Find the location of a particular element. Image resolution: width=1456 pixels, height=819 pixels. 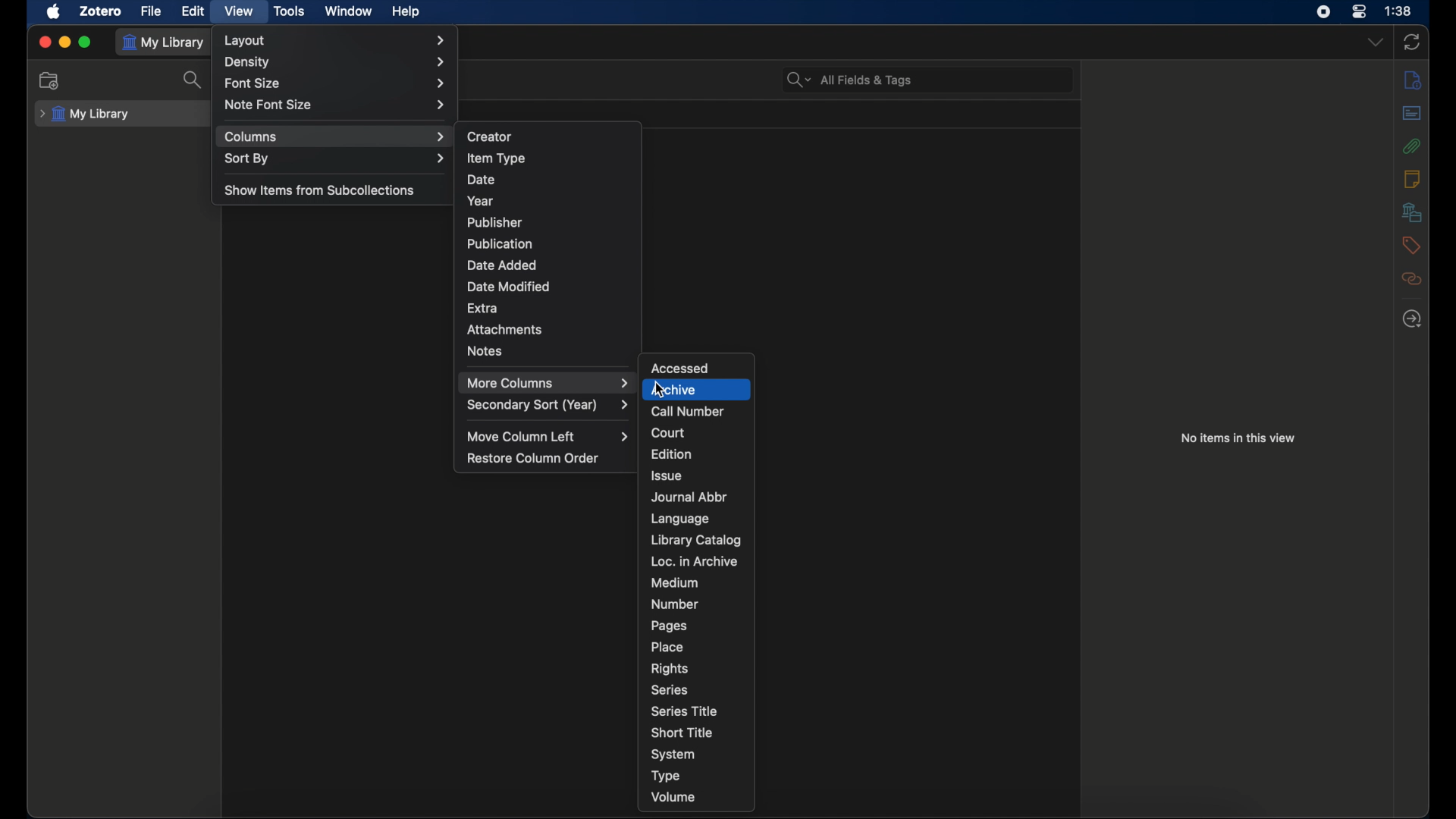

minimize is located at coordinates (64, 42).